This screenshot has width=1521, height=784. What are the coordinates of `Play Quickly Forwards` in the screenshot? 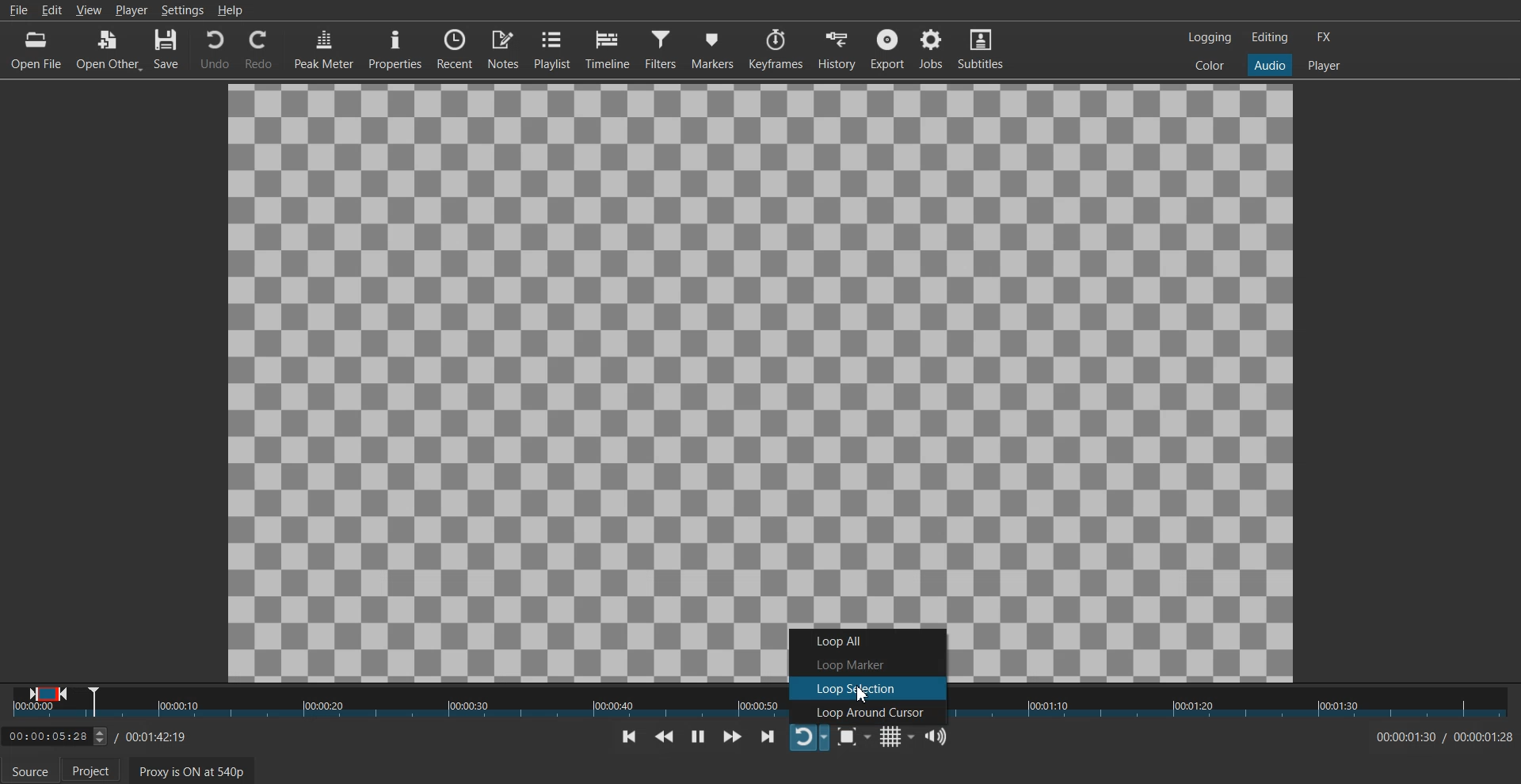 It's located at (732, 736).